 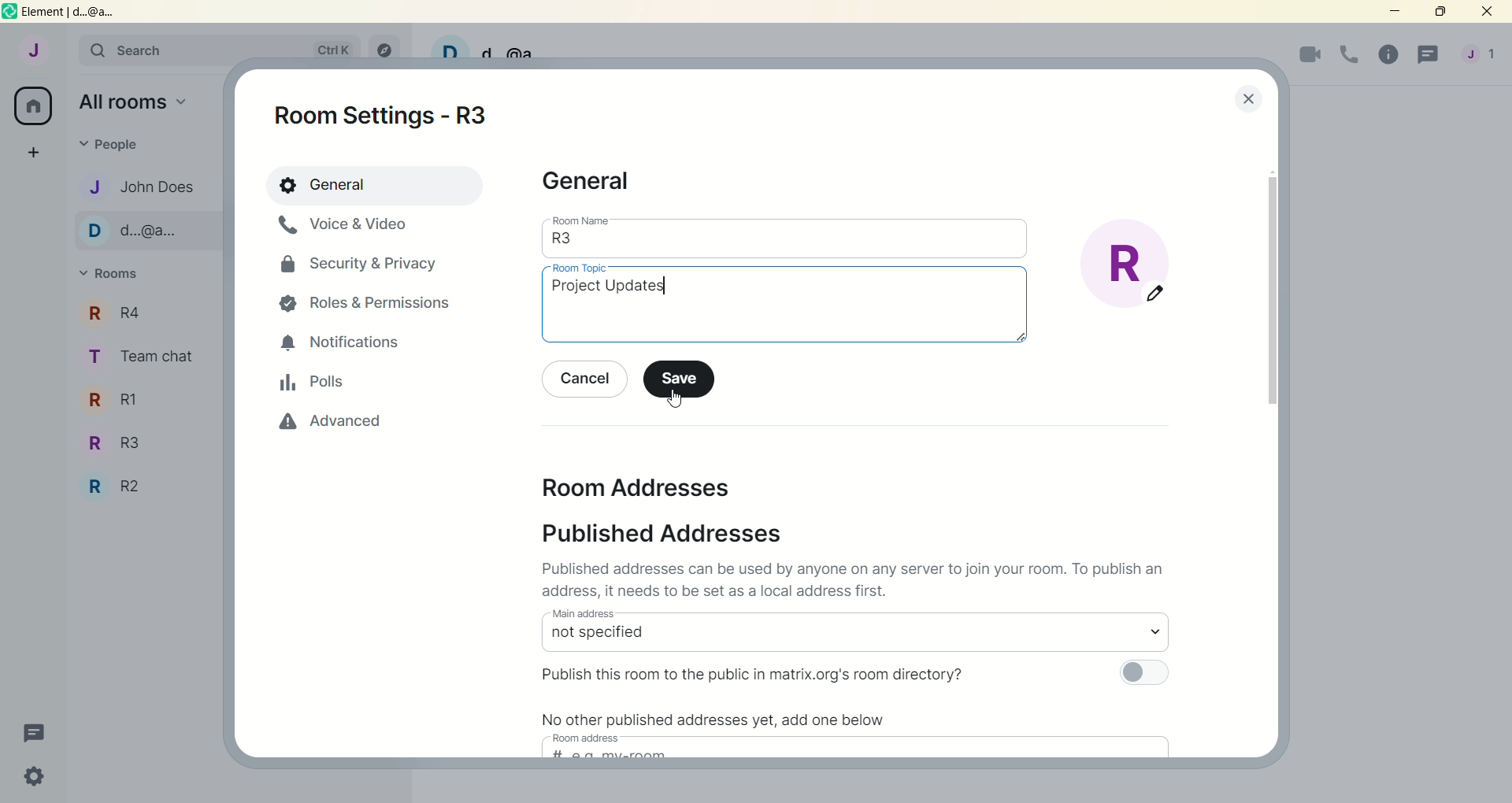 What do you see at coordinates (1429, 57) in the screenshot?
I see `threads` at bounding box center [1429, 57].